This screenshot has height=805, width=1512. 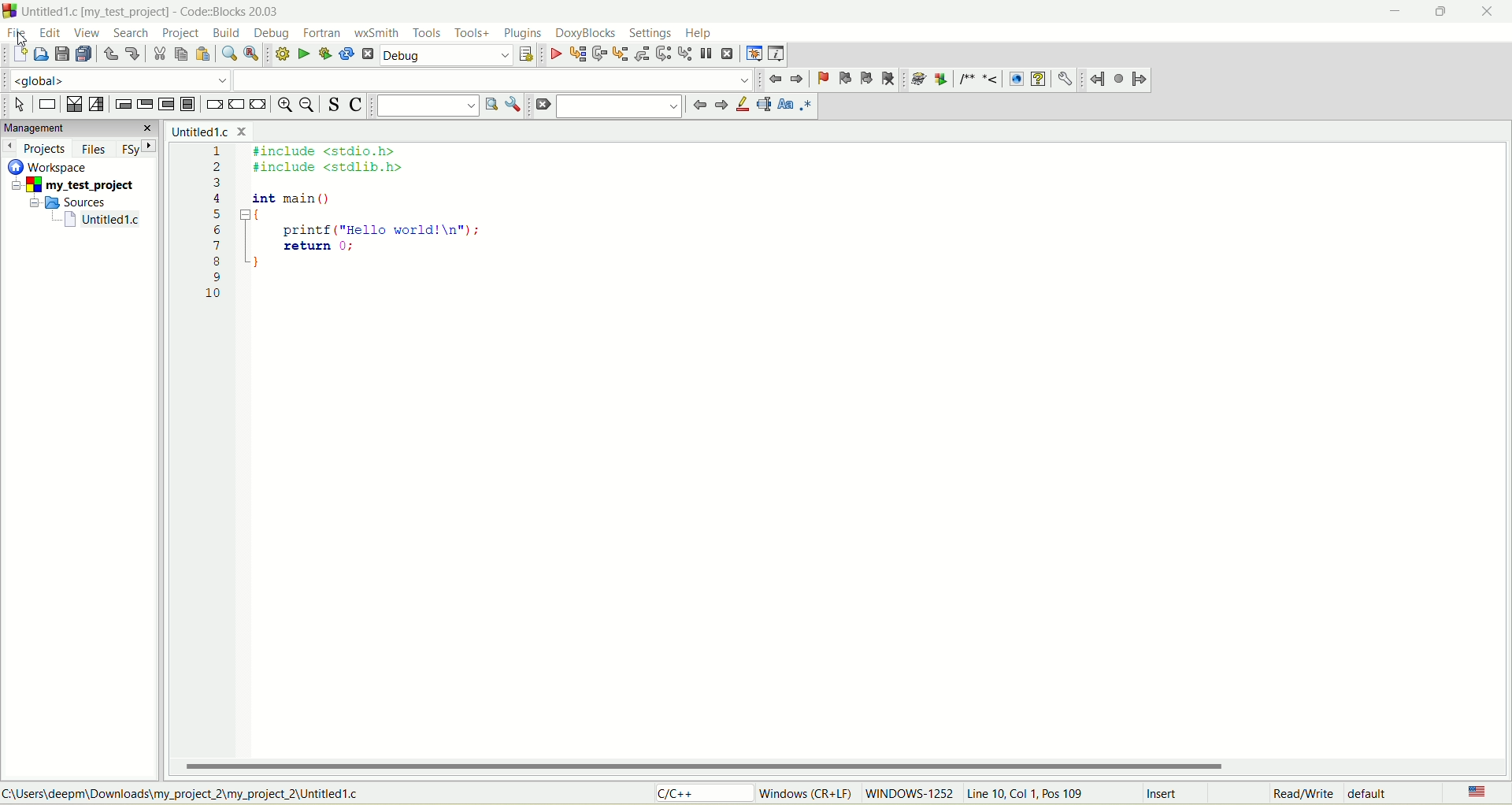 What do you see at coordinates (1300, 795) in the screenshot?
I see `read/write` at bounding box center [1300, 795].